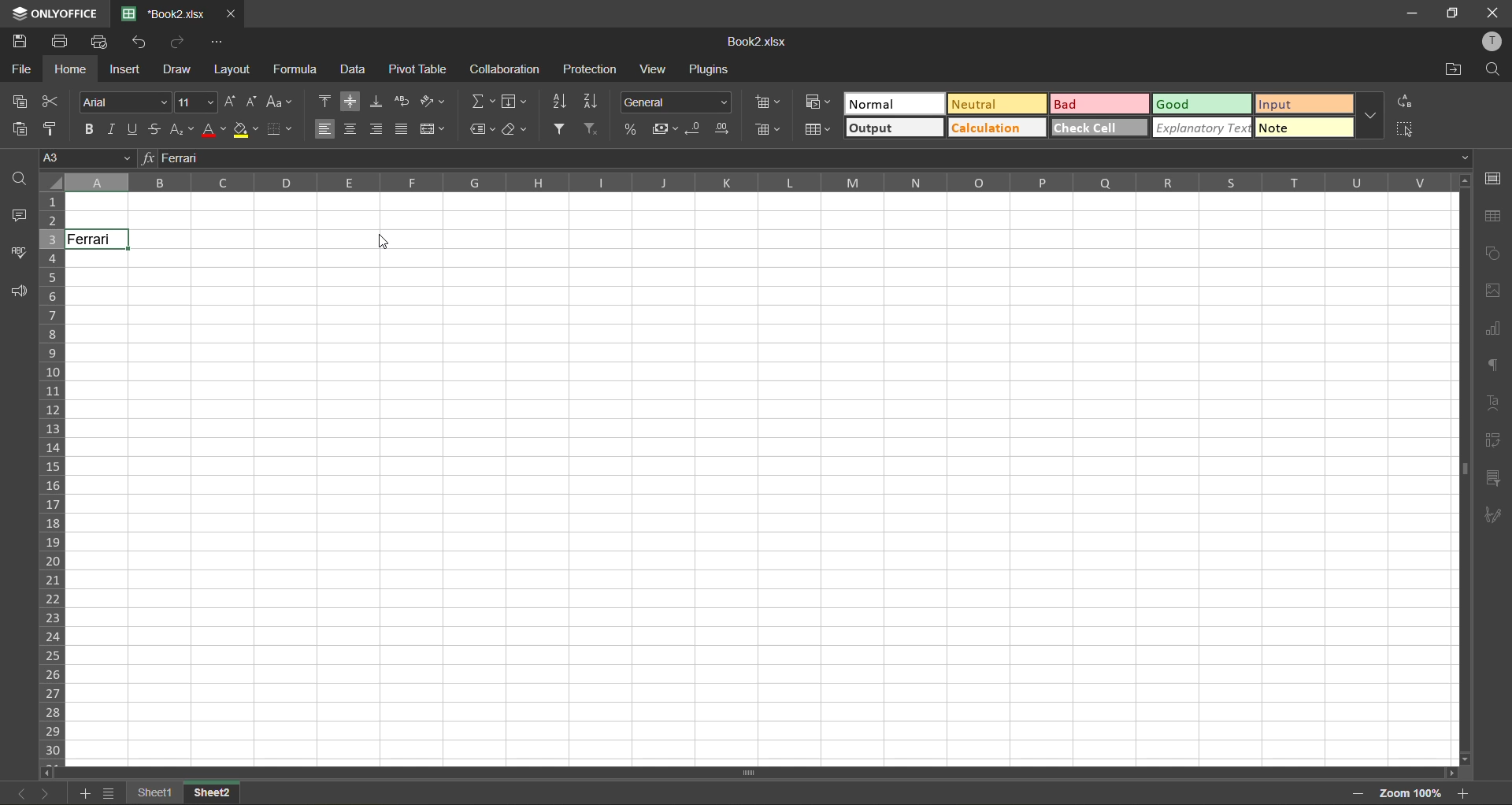 This screenshot has width=1512, height=805. Describe the element at coordinates (1202, 128) in the screenshot. I see `explanatory text` at that location.